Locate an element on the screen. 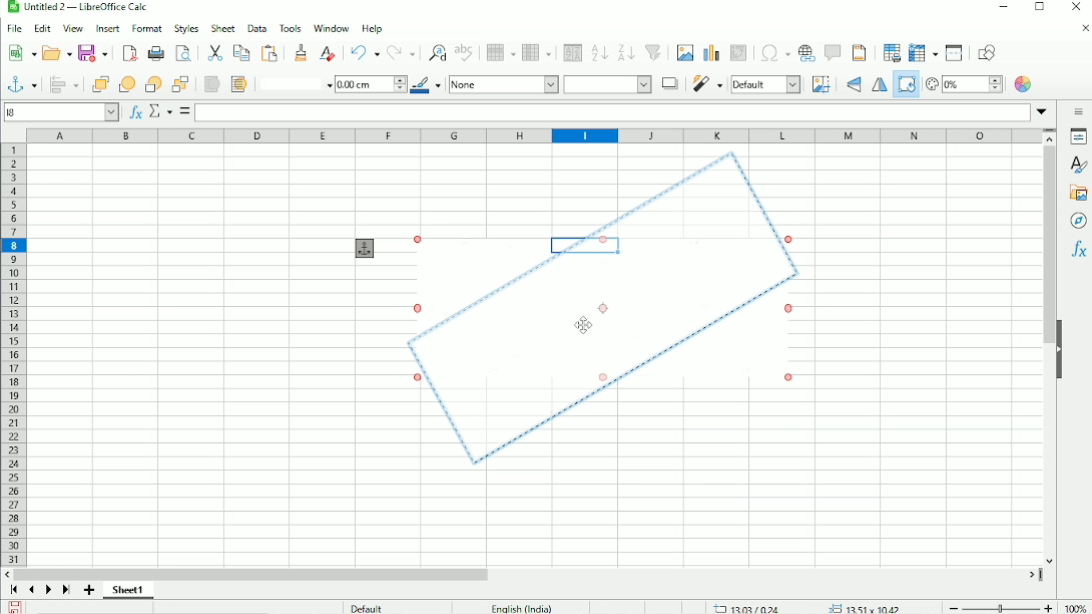 Image resolution: width=1092 pixels, height=614 pixels. View is located at coordinates (72, 28).